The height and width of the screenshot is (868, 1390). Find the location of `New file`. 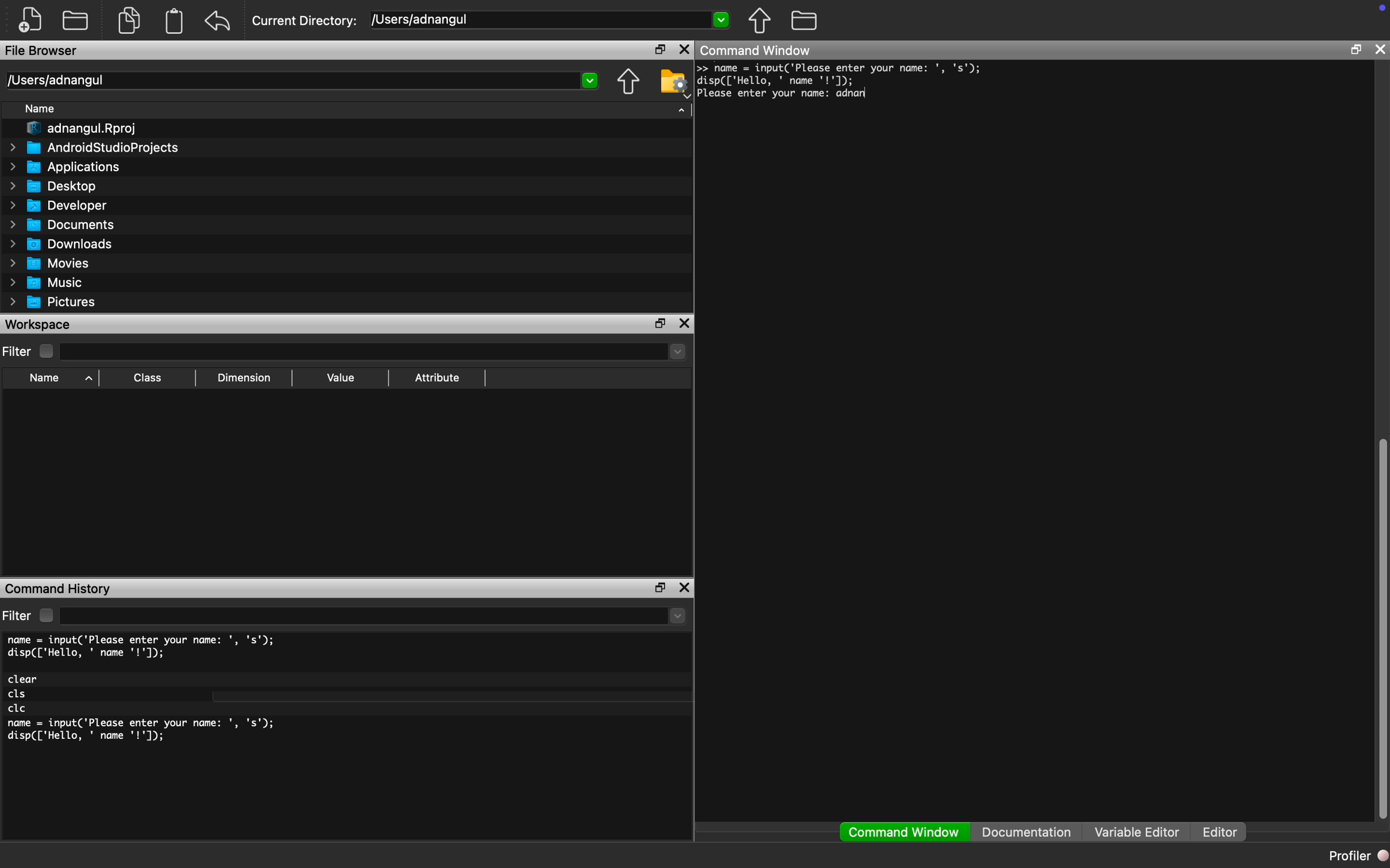

New file is located at coordinates (30, 20).